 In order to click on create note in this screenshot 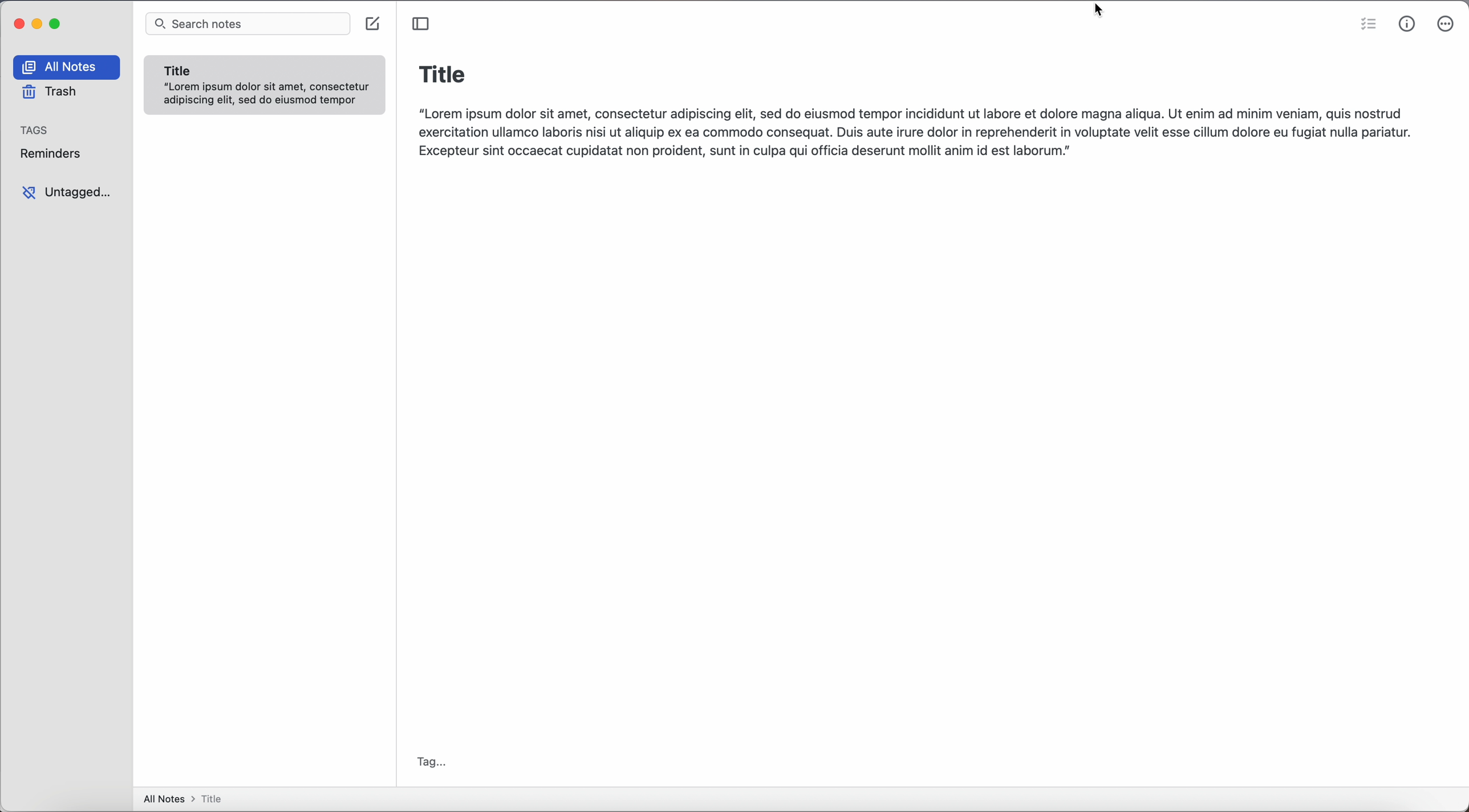, I will do `click(375, 25)`.